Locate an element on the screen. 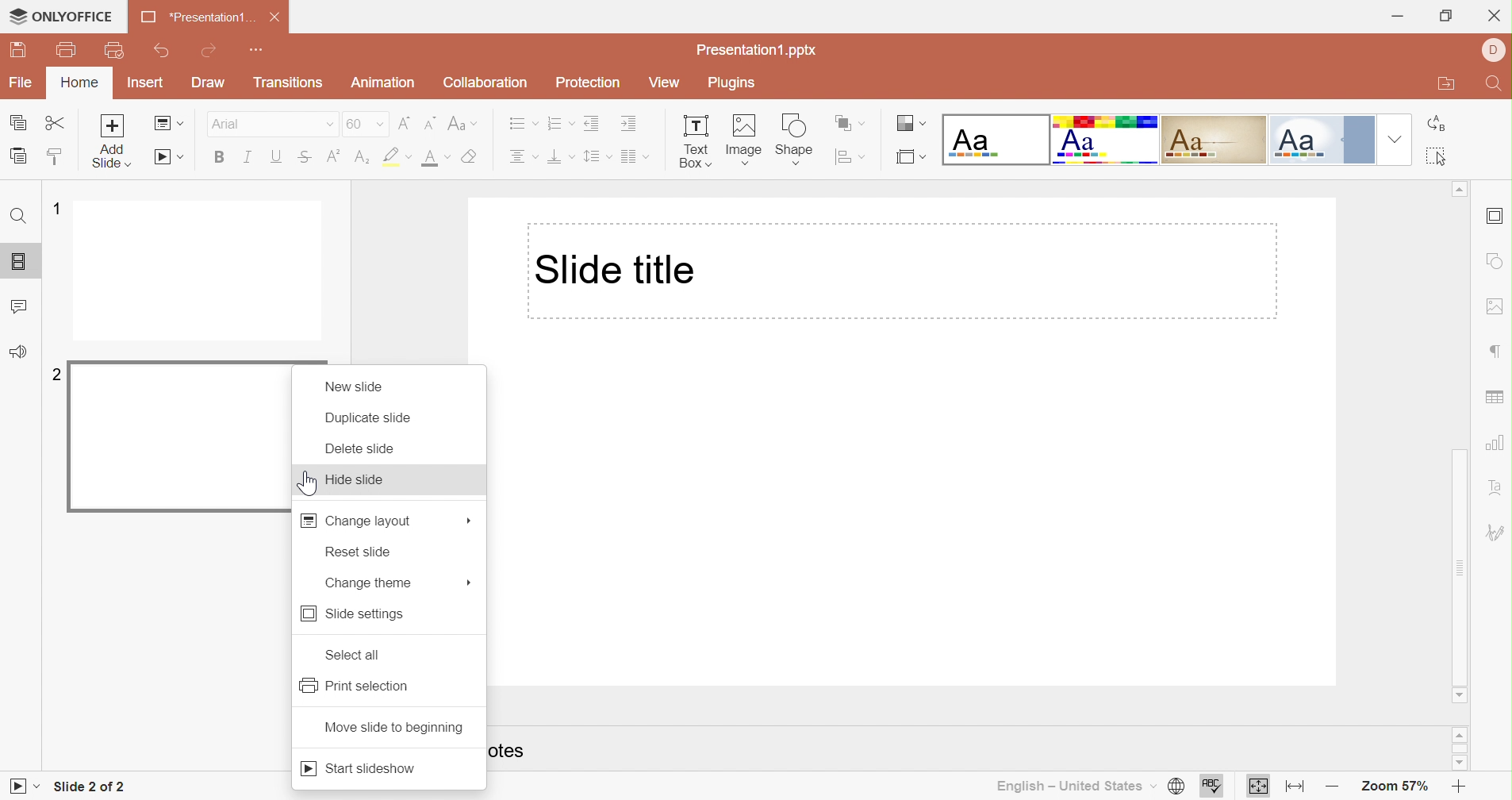  Protection is located at coordinates (589, 84).